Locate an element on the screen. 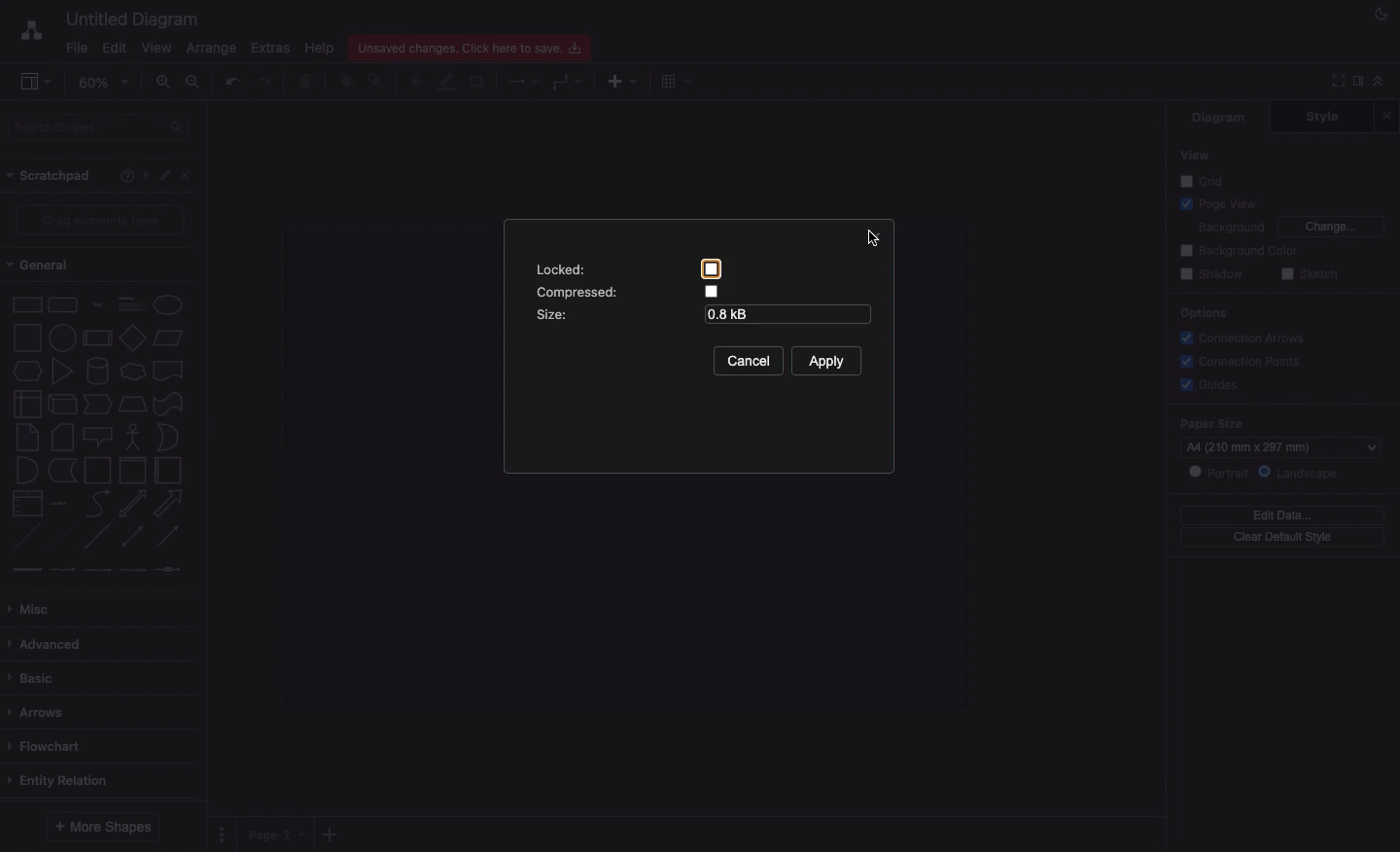 The image size is (1400, 852). Help is located at coordinates (322, 48).